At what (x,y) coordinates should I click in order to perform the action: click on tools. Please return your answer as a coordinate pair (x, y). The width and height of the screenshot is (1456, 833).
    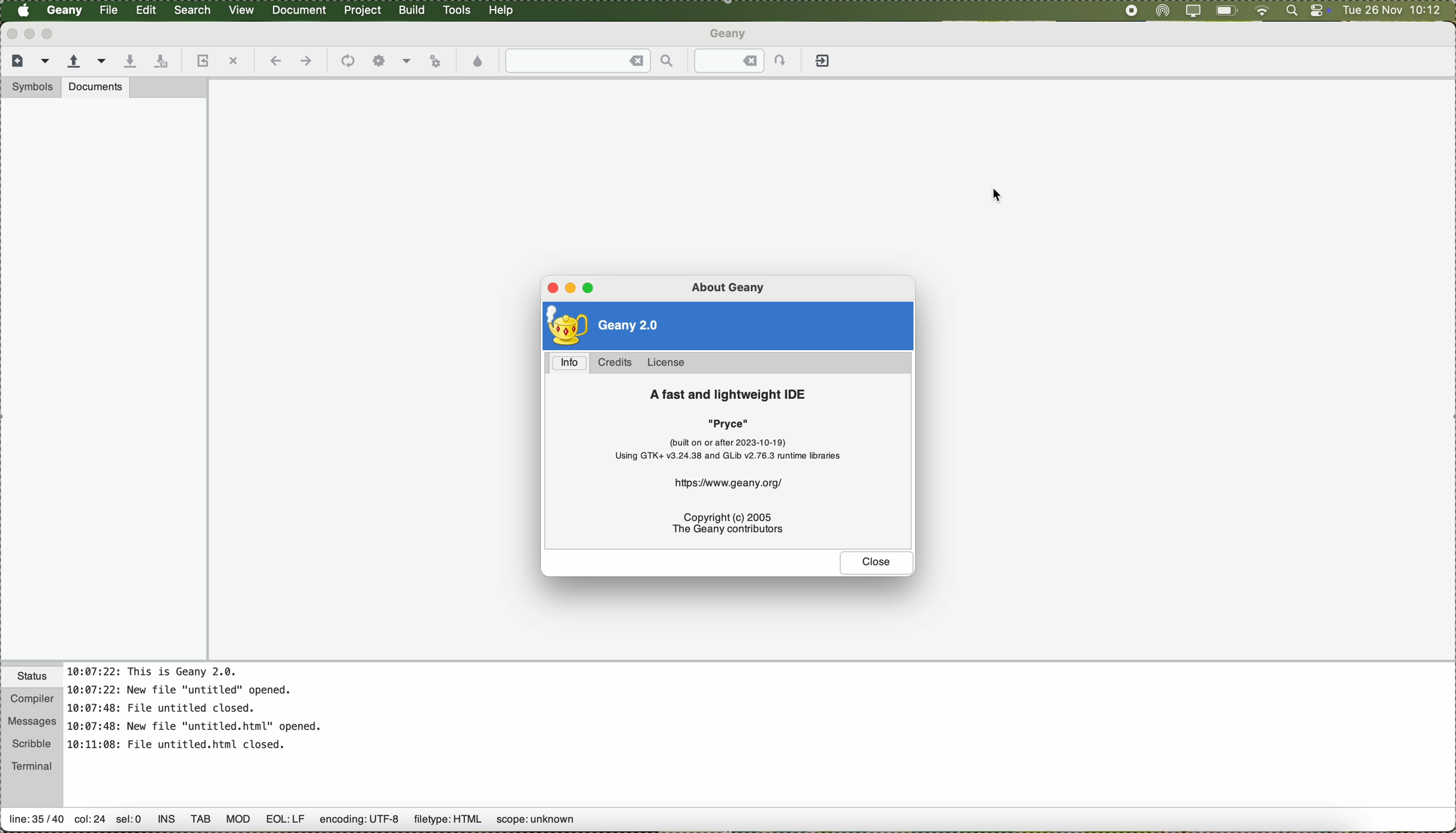
    Looking at the image, I should click on (460, 11).